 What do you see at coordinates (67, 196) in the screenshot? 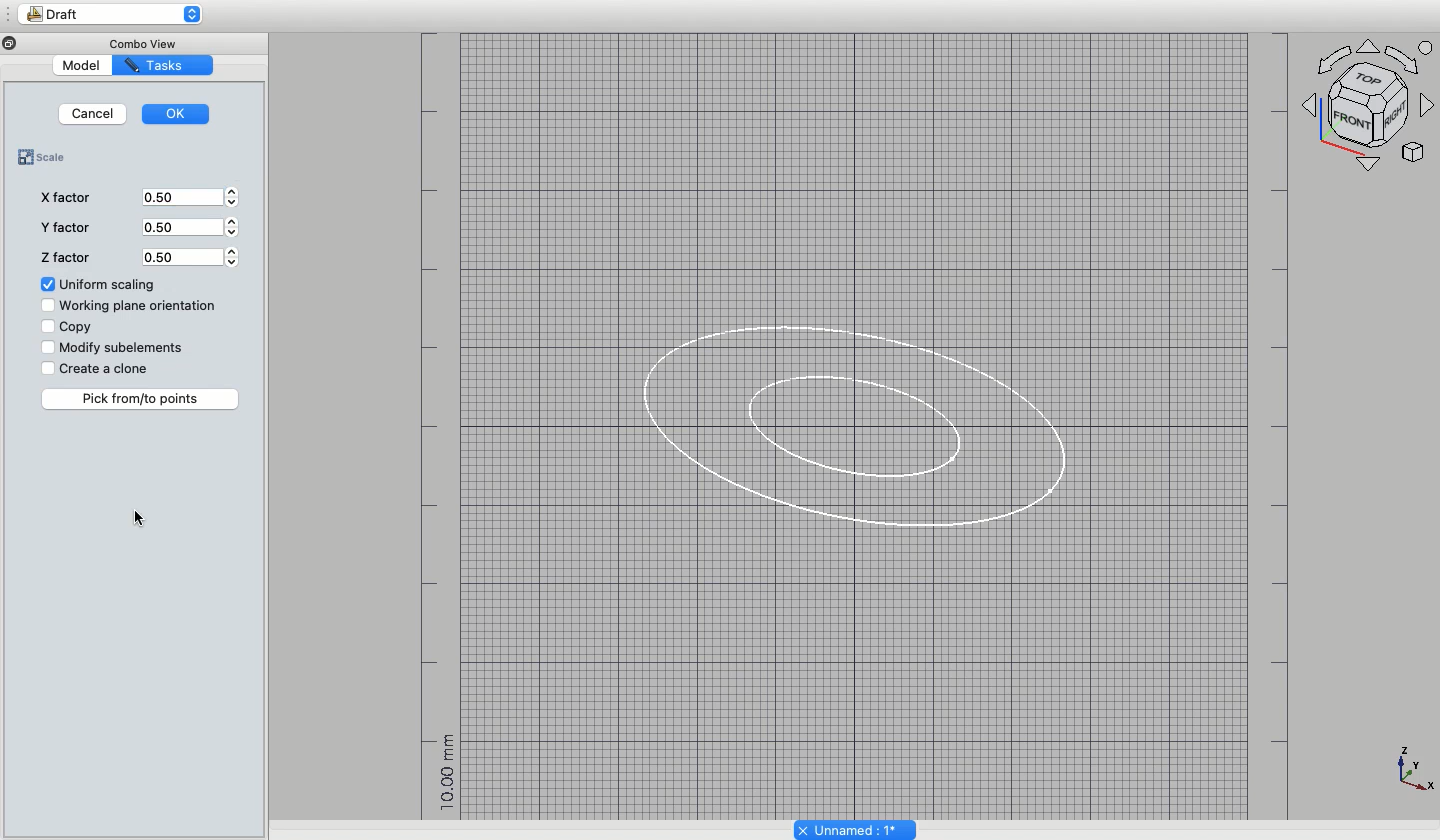
I see `X factor` at bounding box center [67, 196].